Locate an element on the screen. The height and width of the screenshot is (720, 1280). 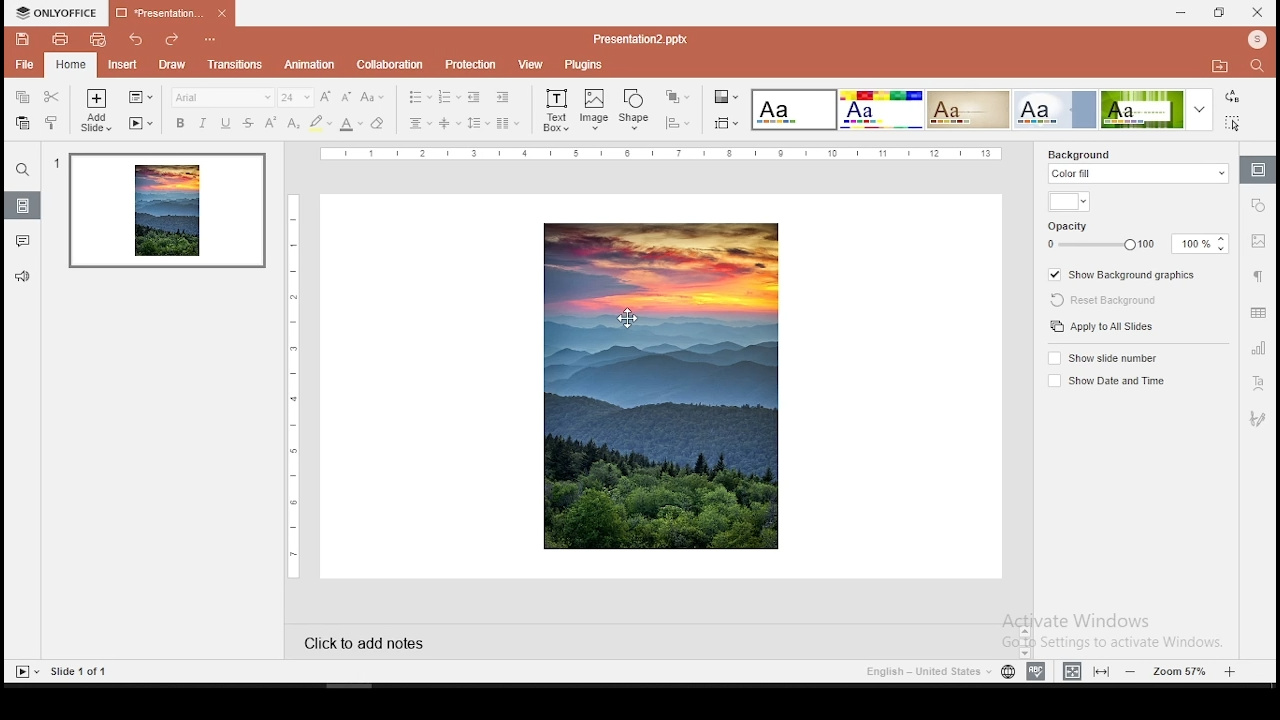
text box  is located at coordinates (554, 110).